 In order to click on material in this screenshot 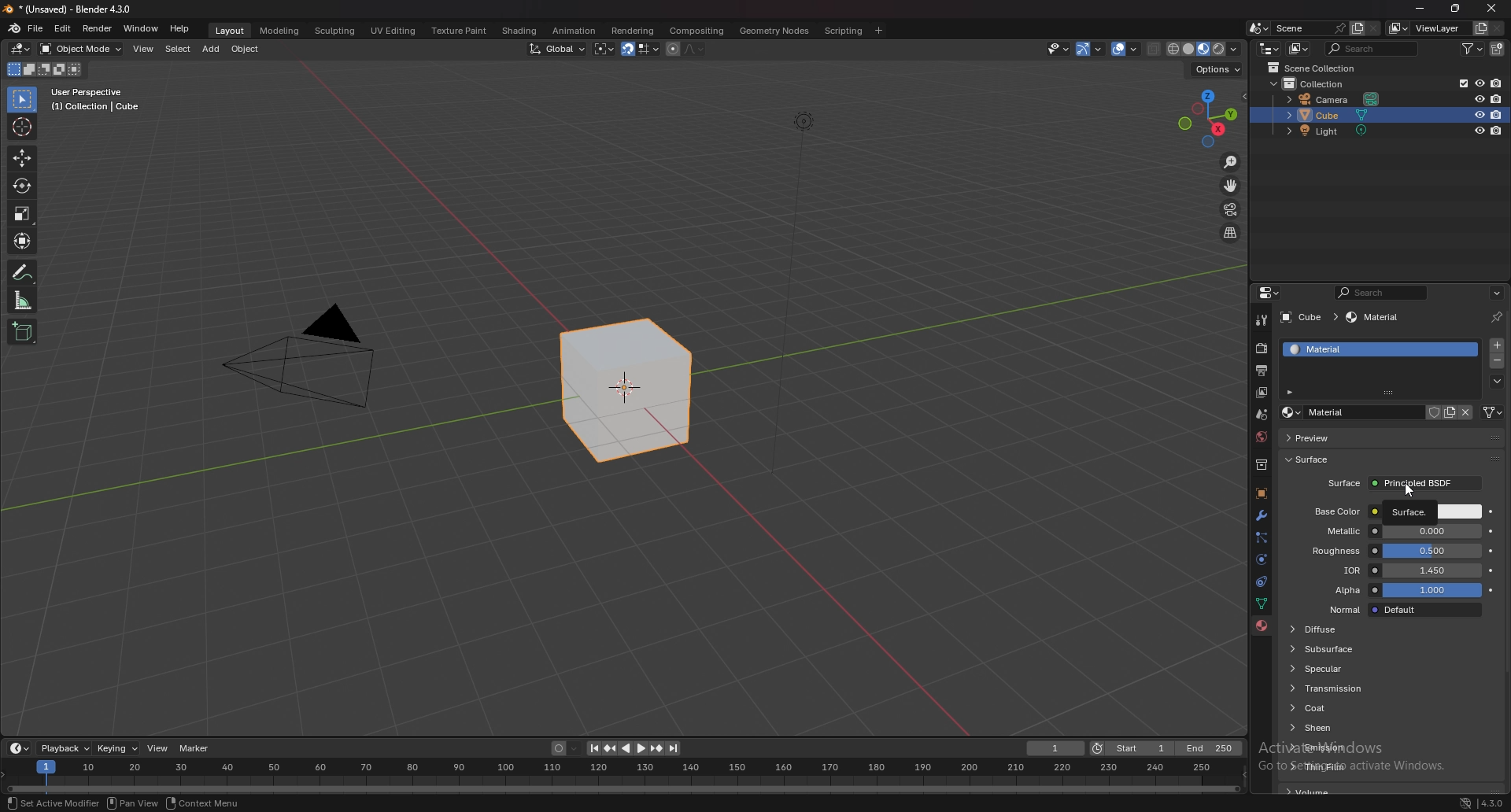, I will do `click(1376, 318)`.